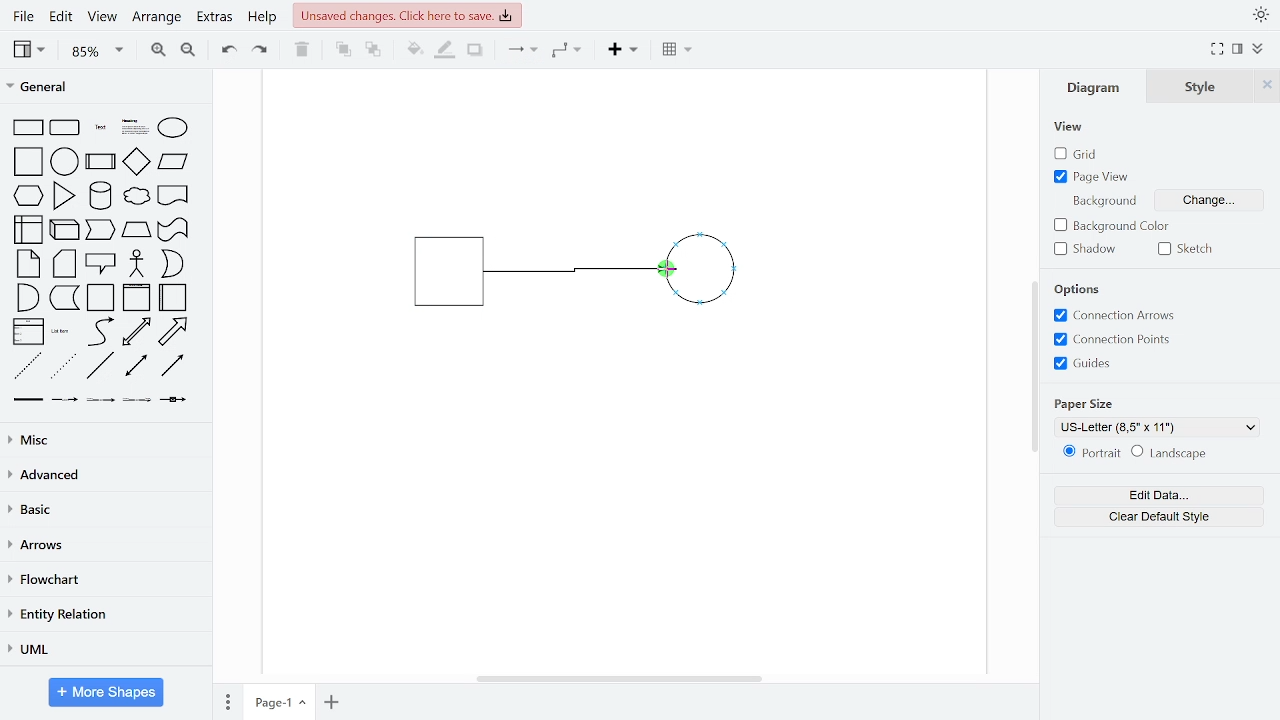  What do you see at coordinates (102, 474) in the screenshot?
I see `advanced` at bounding box center [102, 474].